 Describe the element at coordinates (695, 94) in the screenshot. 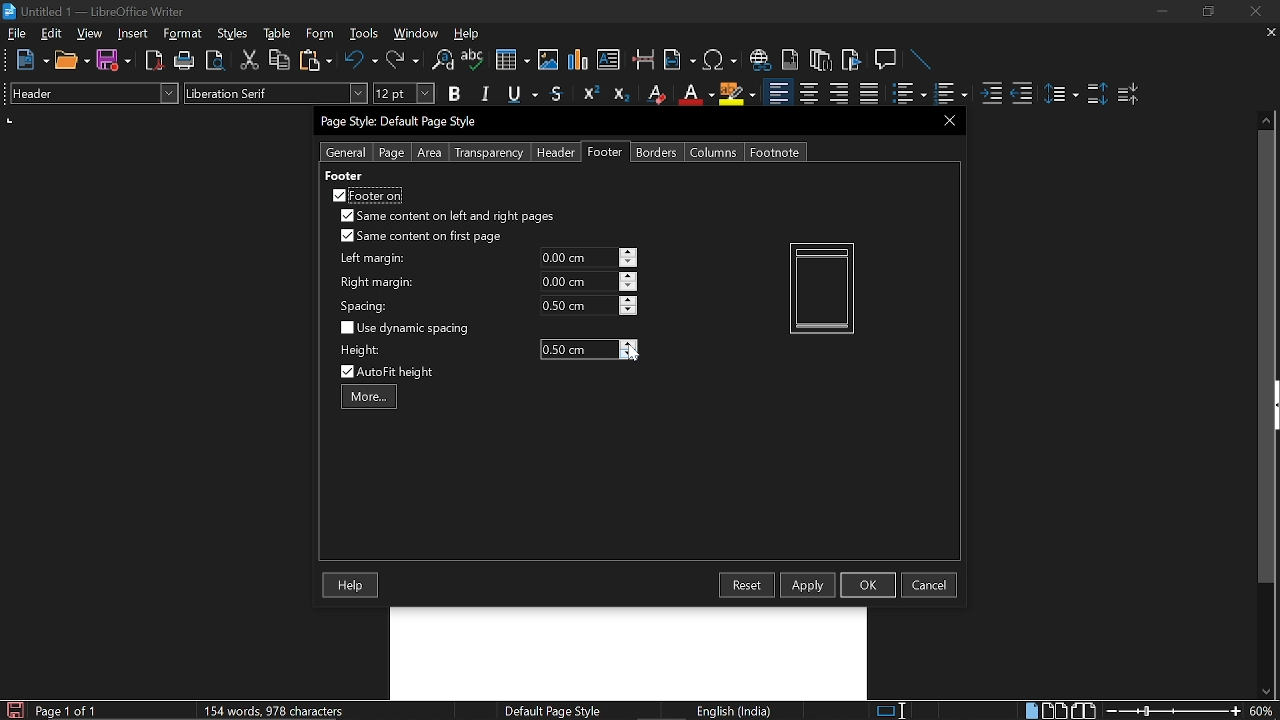

I see `Underline` at that location.